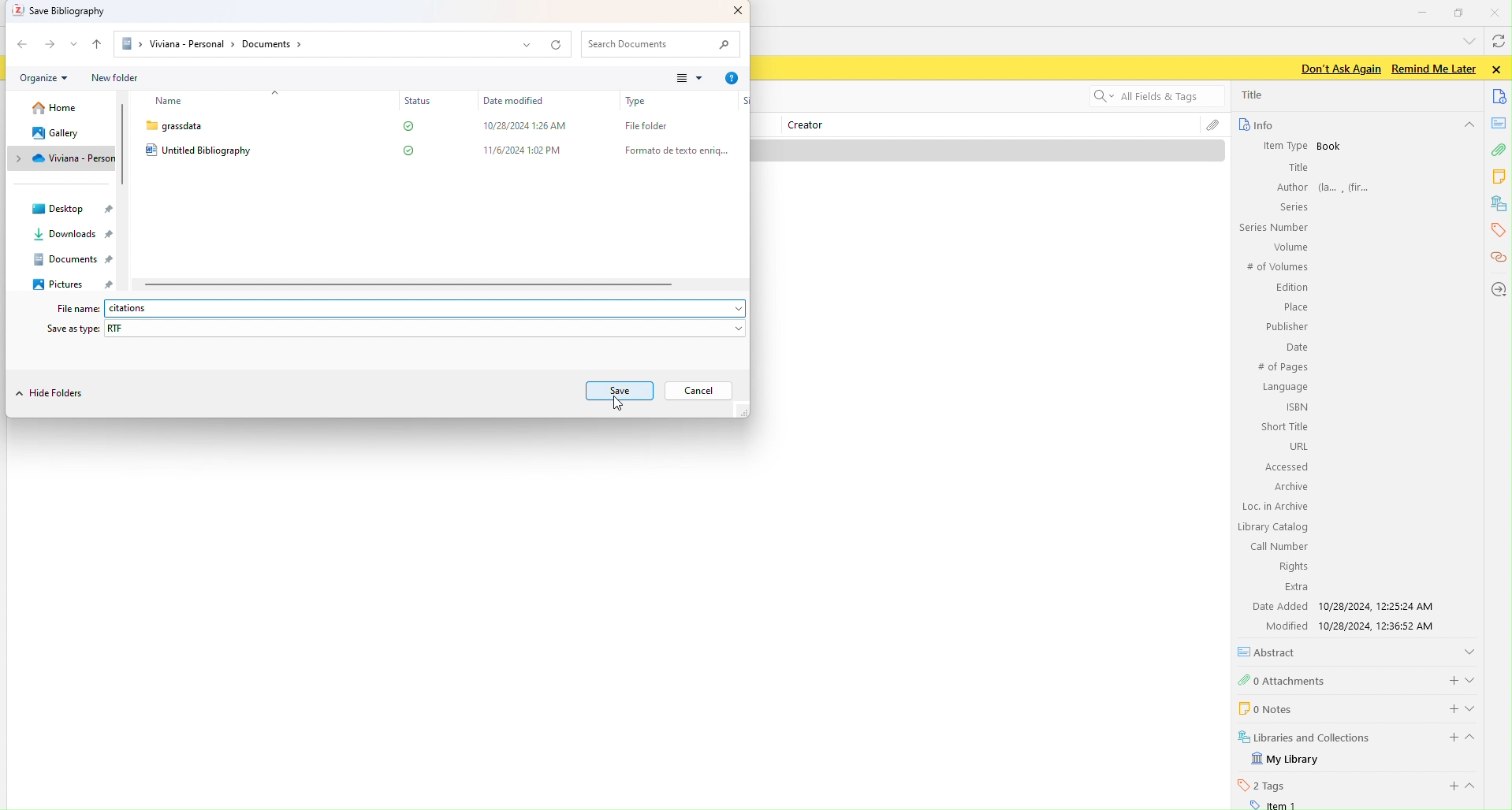 The image size is (1512, 810). Describe the element at coordinates (1296, 588) in the screenshot. I see `extra` at that location.